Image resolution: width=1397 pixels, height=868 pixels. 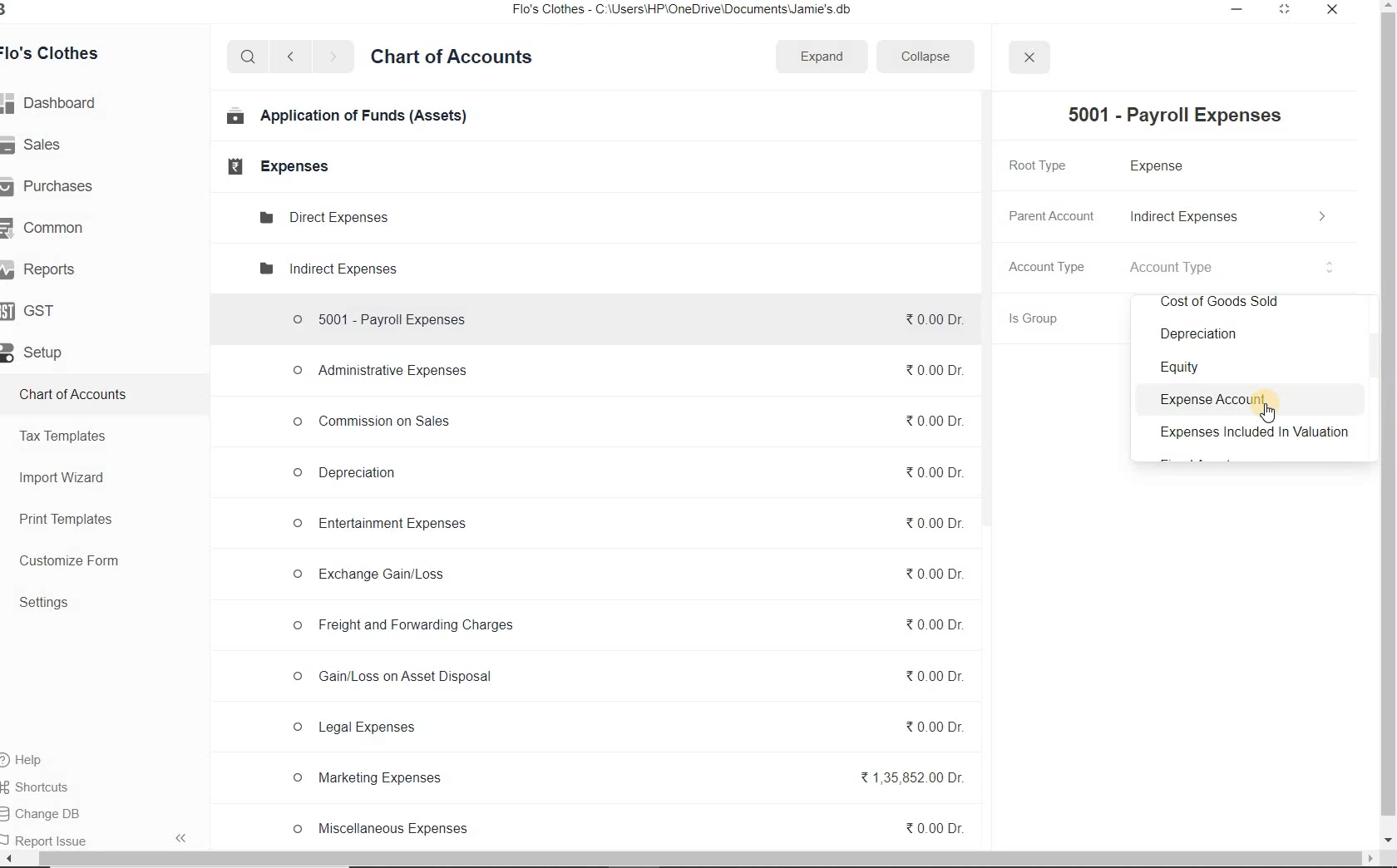 I want to click on close, so click(x=1334, y=10).